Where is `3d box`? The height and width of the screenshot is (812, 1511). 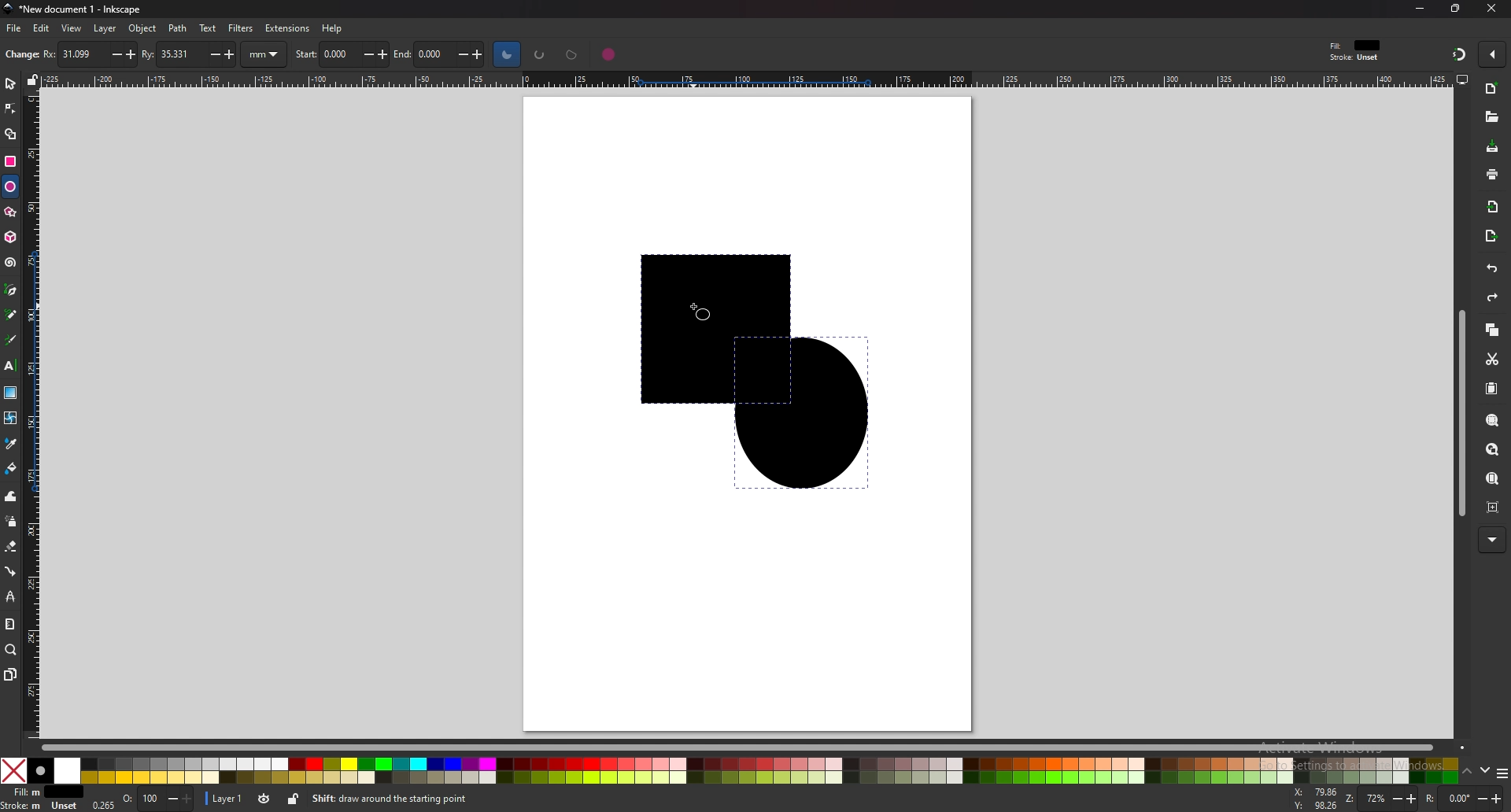 3d box is located at coordinates (10, 237).